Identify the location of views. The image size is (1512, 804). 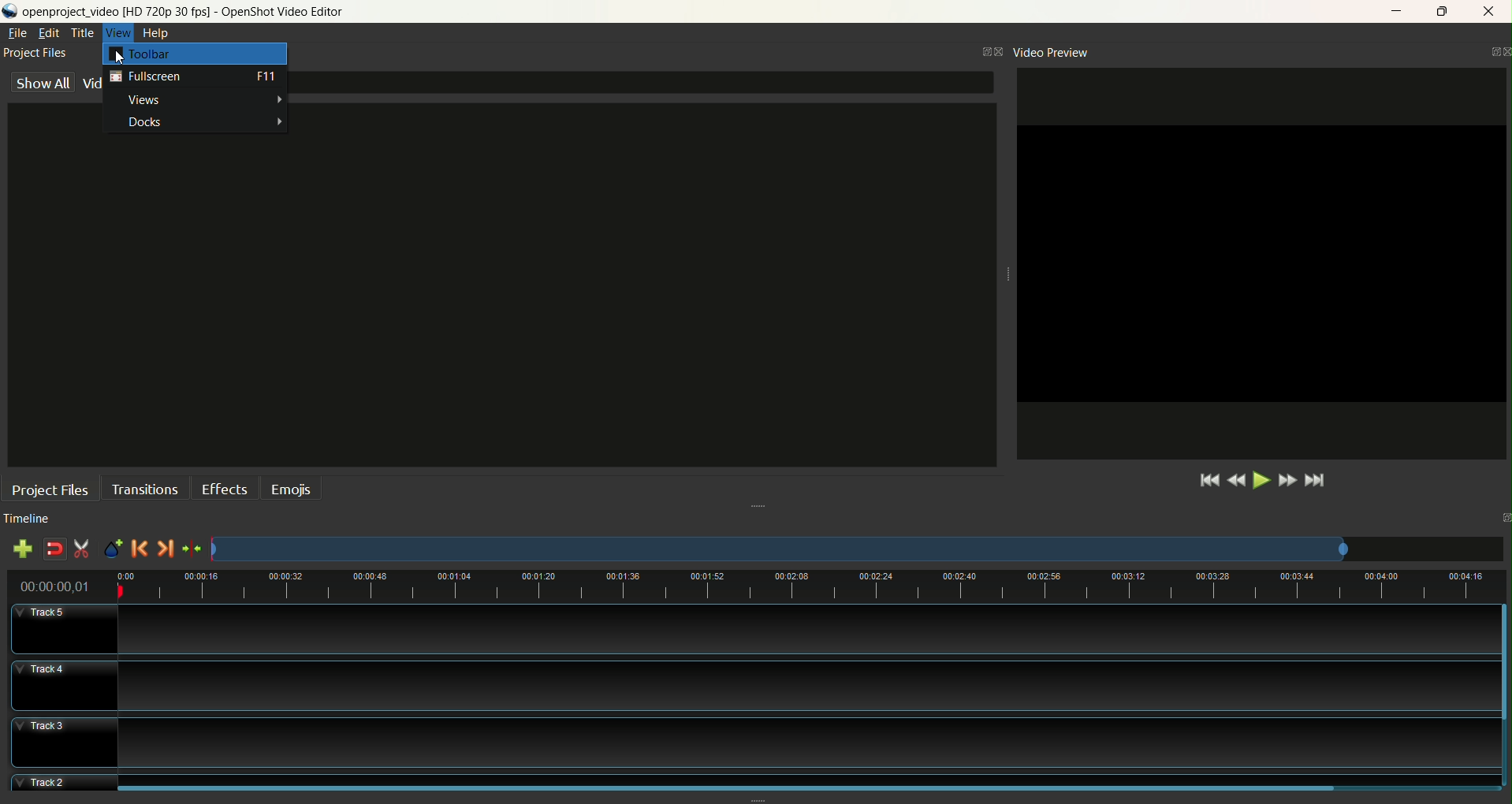
(196, 102).